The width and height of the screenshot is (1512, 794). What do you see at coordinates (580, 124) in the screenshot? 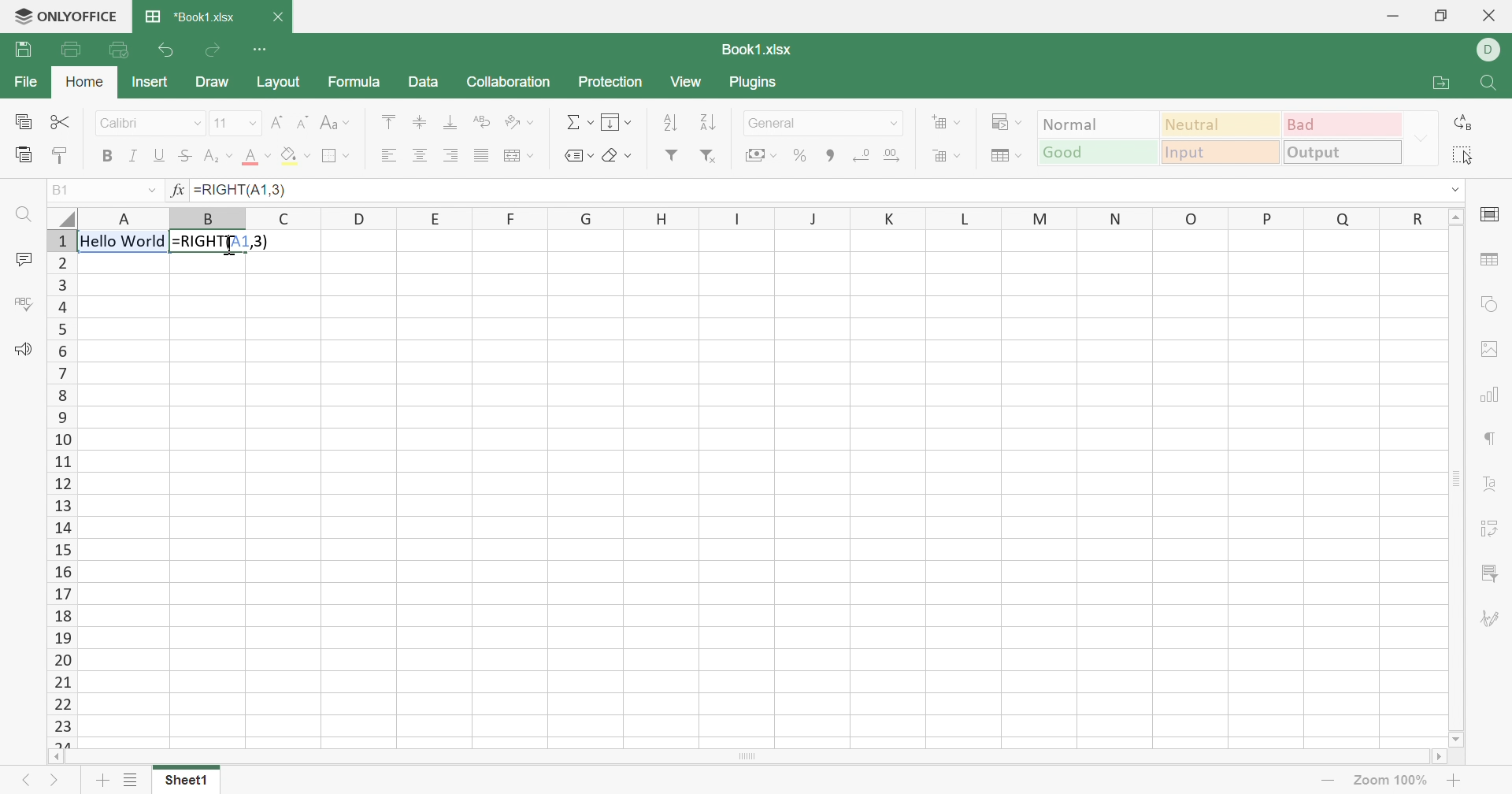
I see `Summation` at bounding box center [580, 124].